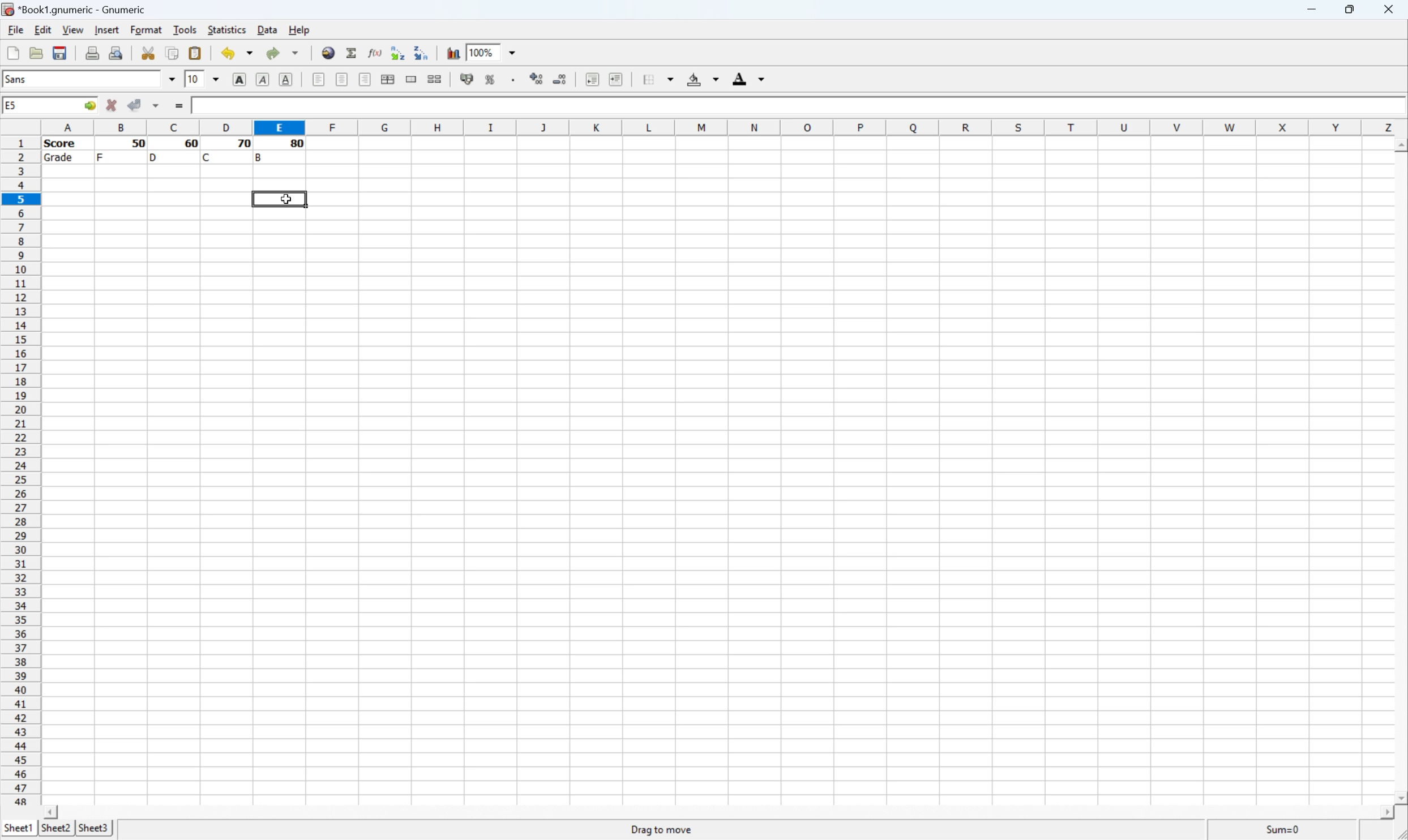  Describe the element at coordinates (147, 50) in the screenshot. I see `Cut the selection` at that location.